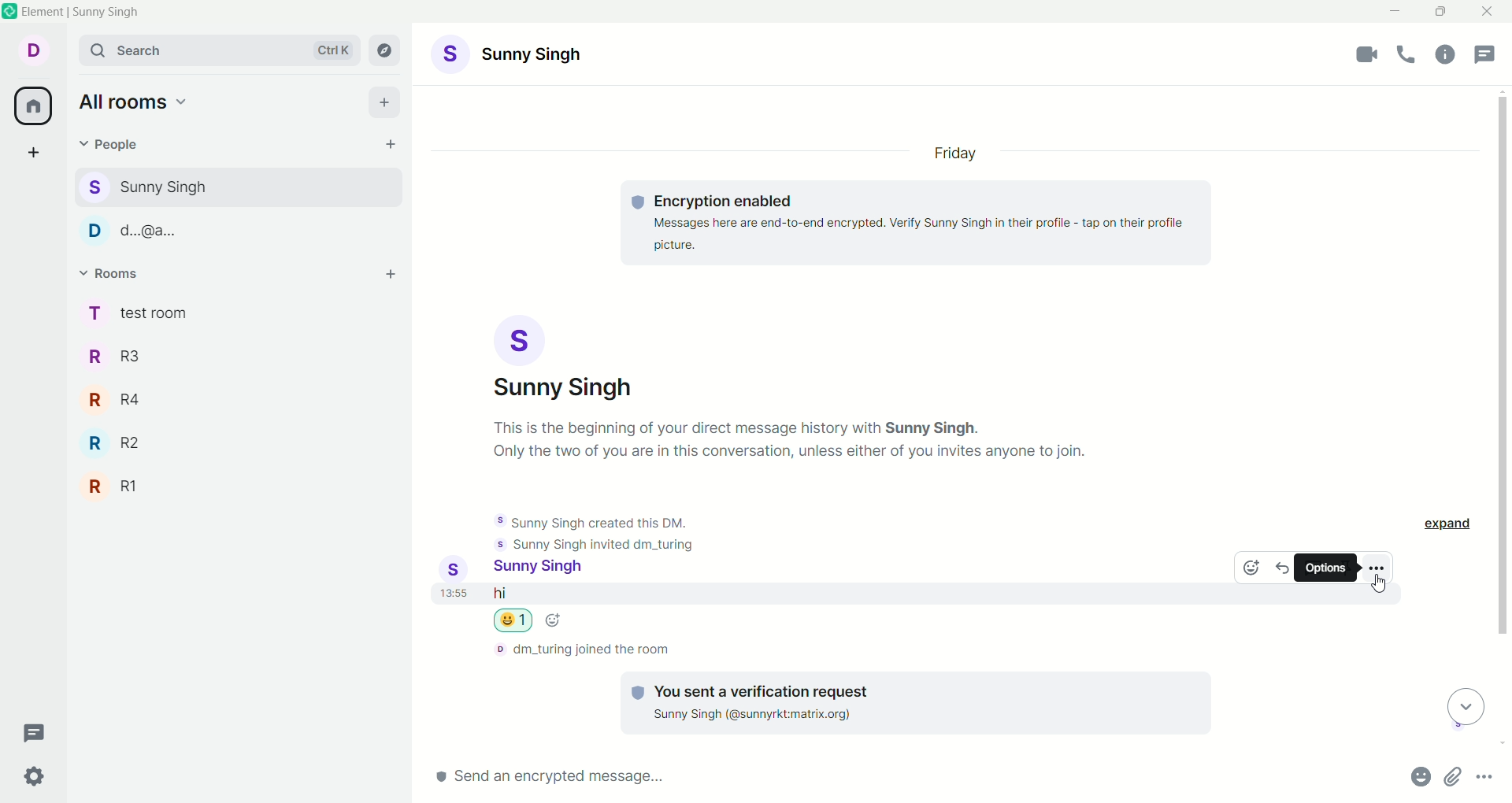  Describe the element at coordinates (1327, 568) in the screenshot. I see `options` at that location.